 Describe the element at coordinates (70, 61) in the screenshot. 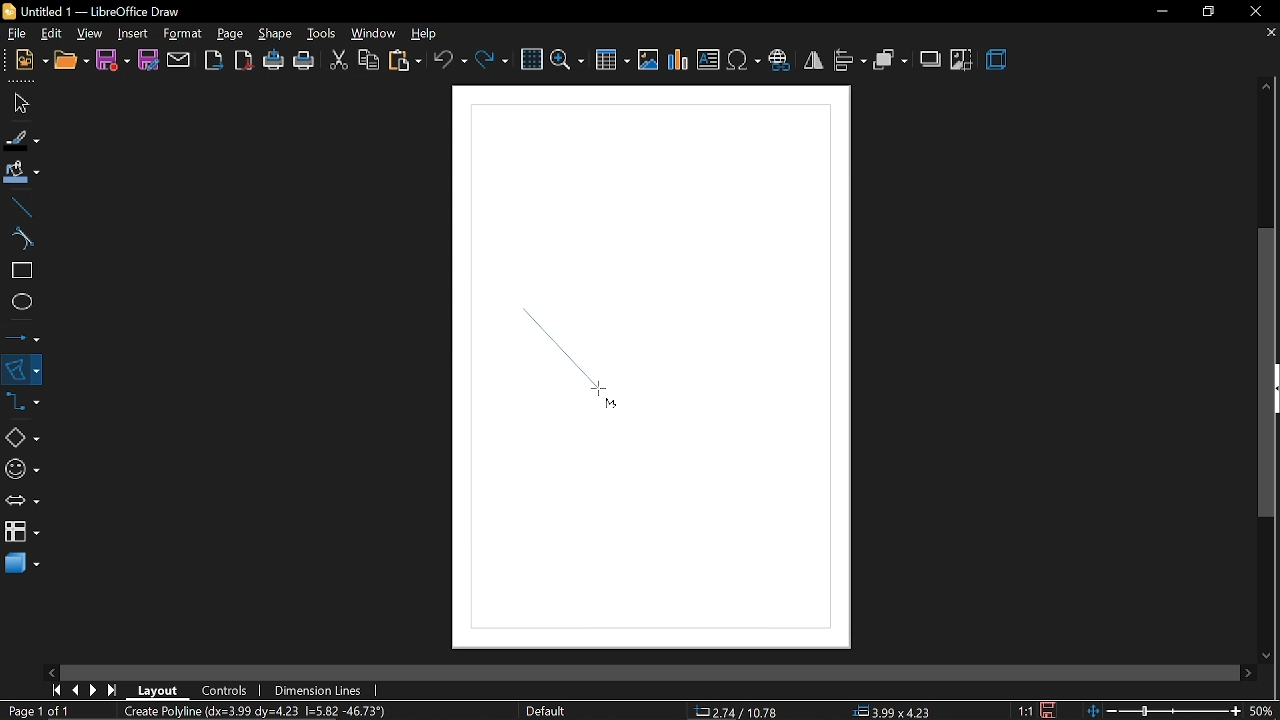

I see `open` at that location.